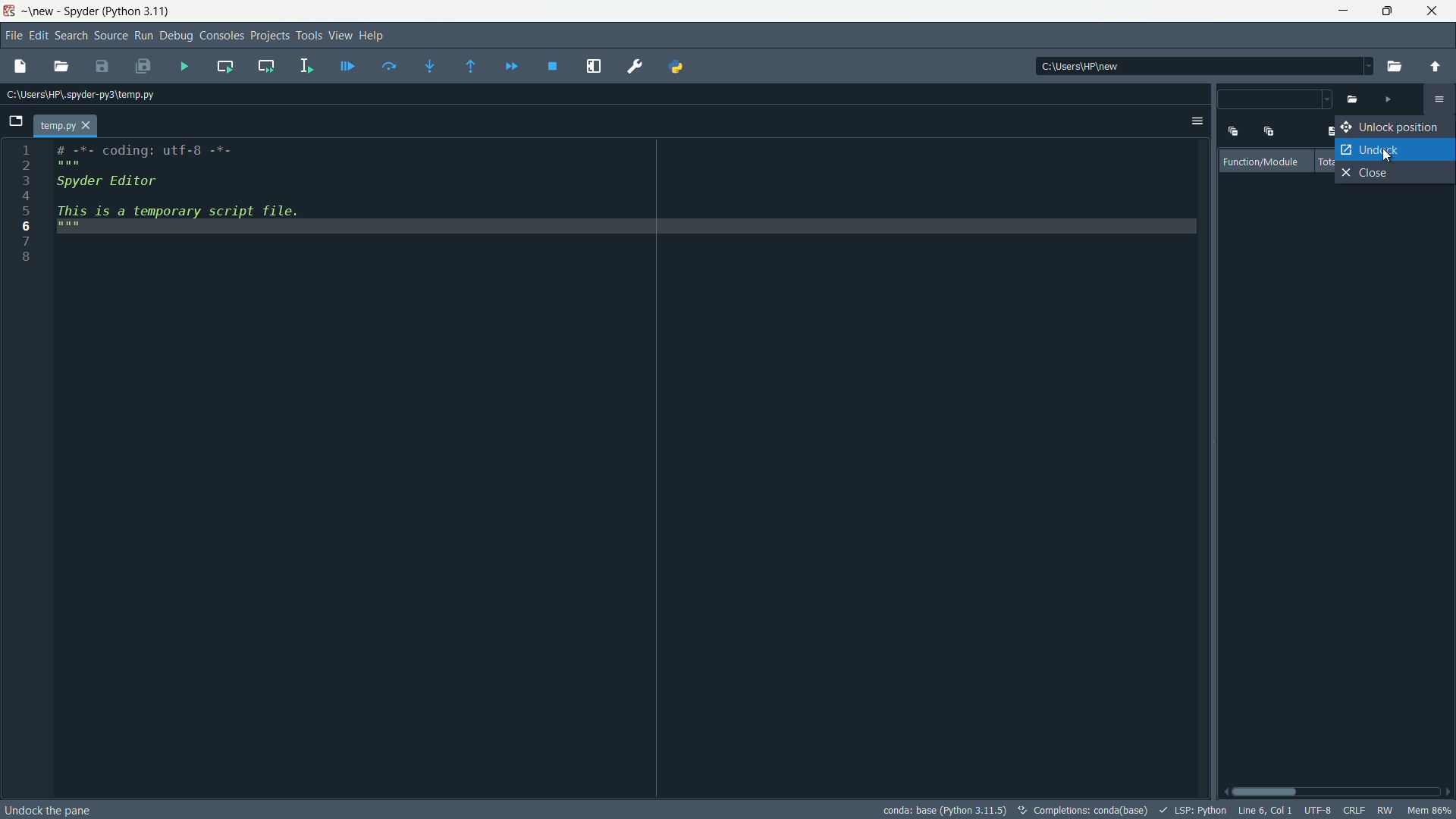 This screenshot has height=819, width=1456. Describe the element at coordinates (1264, 162) in the screenshot. I see `function/module` at that location.